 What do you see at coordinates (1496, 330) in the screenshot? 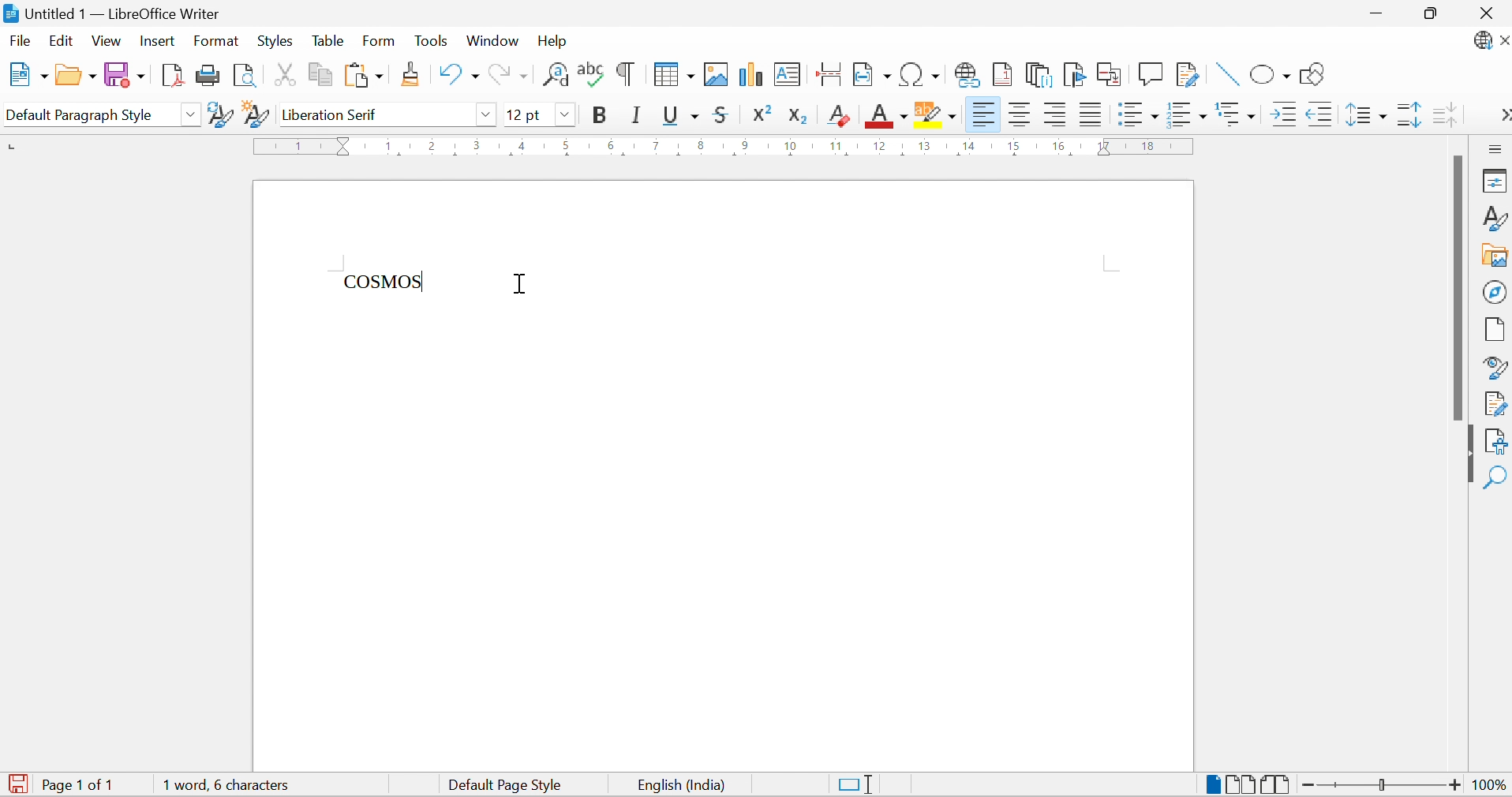
I see `Page` at bounding box center [1496, 330].